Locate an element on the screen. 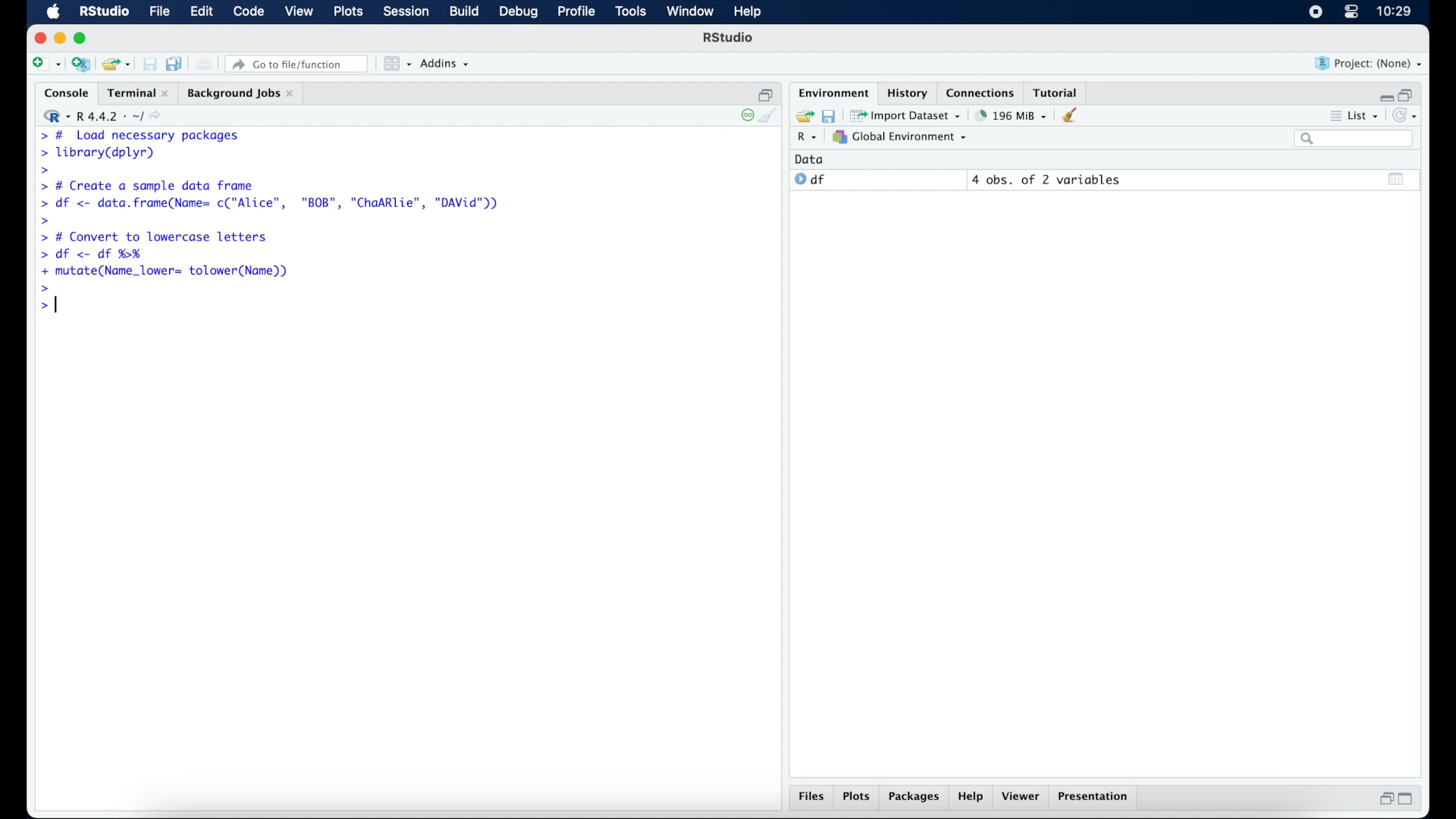 The height and width of the screenshot is (819, 1456). build is located at coordinates (463, 12).